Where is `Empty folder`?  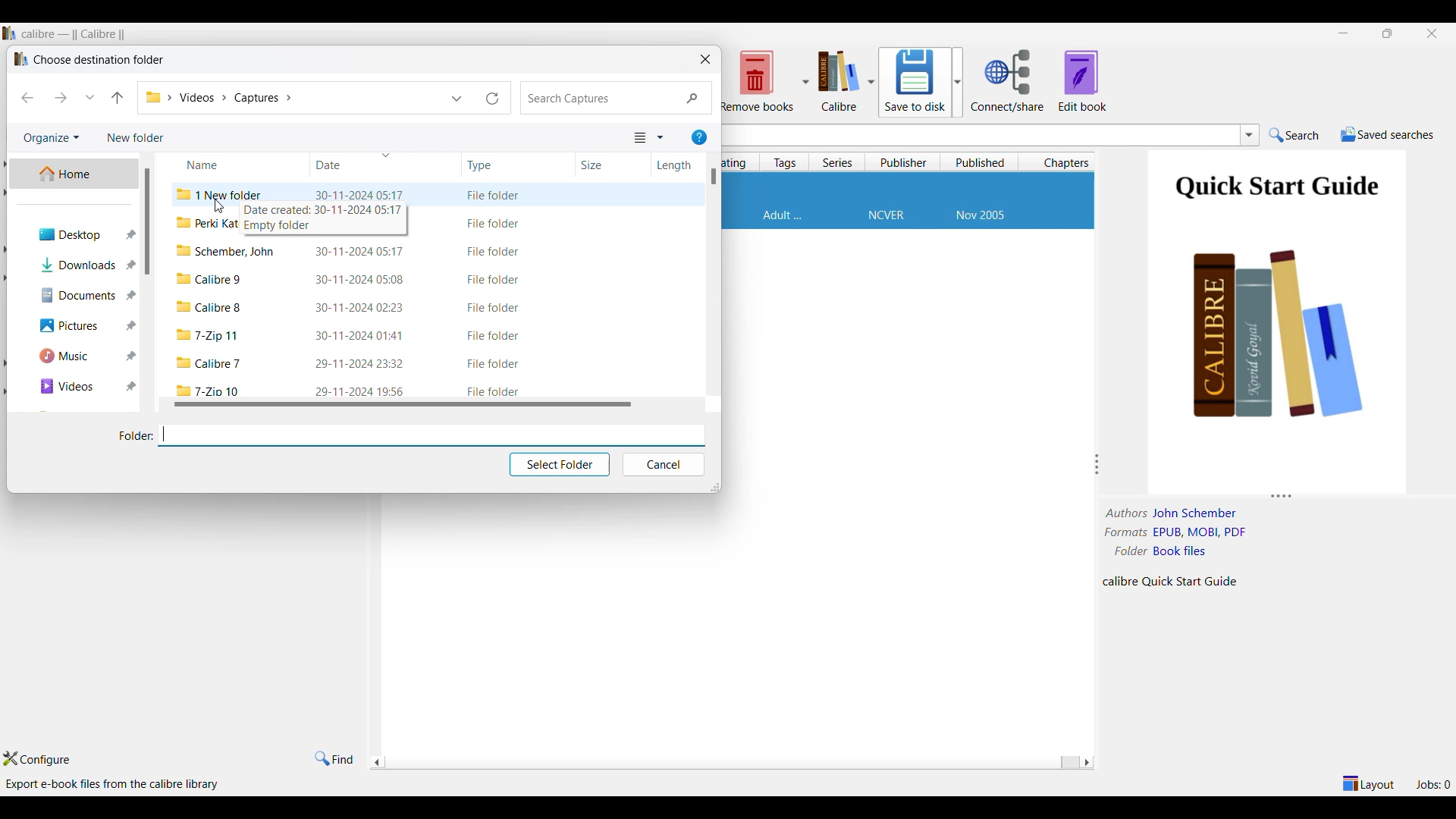
Empty folder is located at coordinates (284, 227).